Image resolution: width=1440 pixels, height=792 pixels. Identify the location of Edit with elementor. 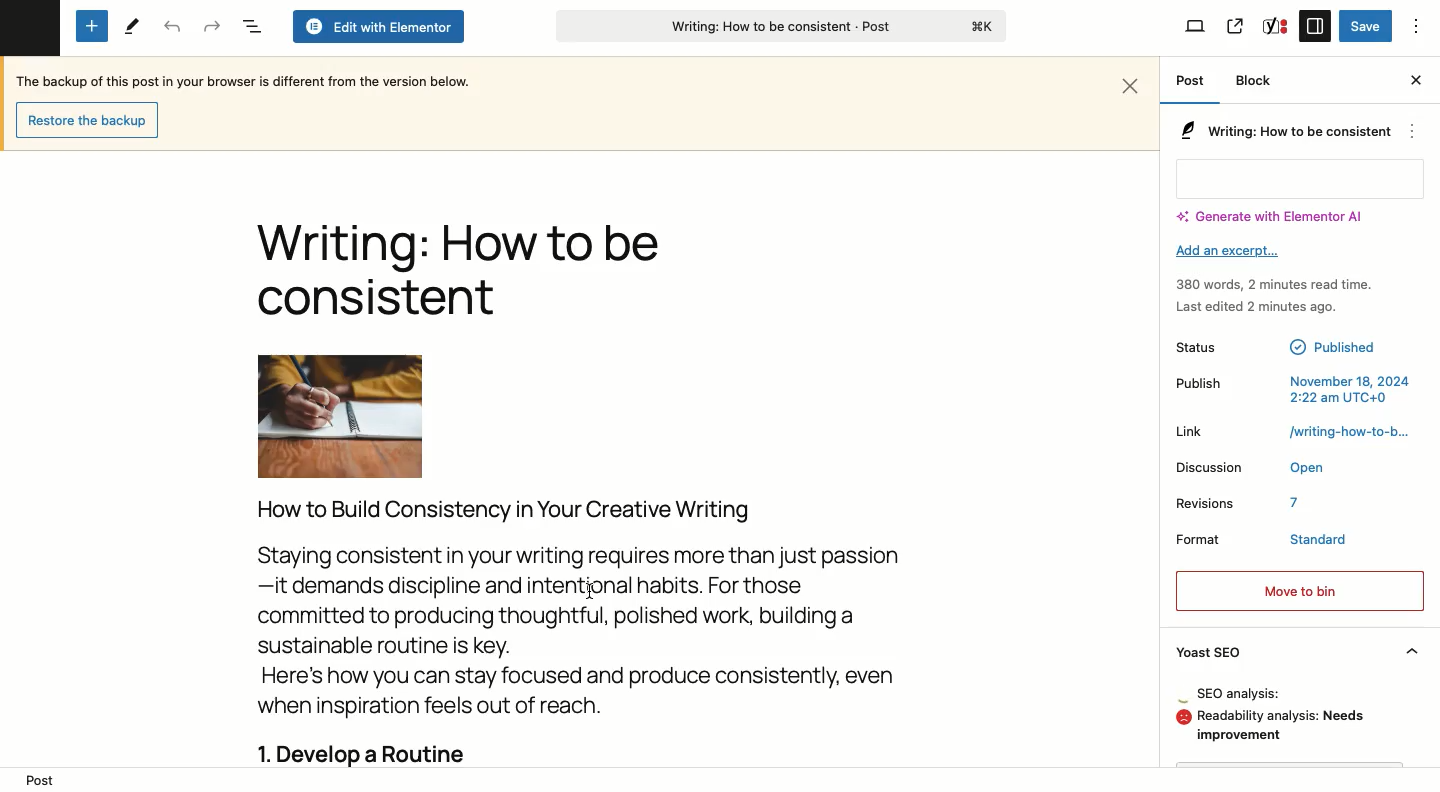
(368, 27).